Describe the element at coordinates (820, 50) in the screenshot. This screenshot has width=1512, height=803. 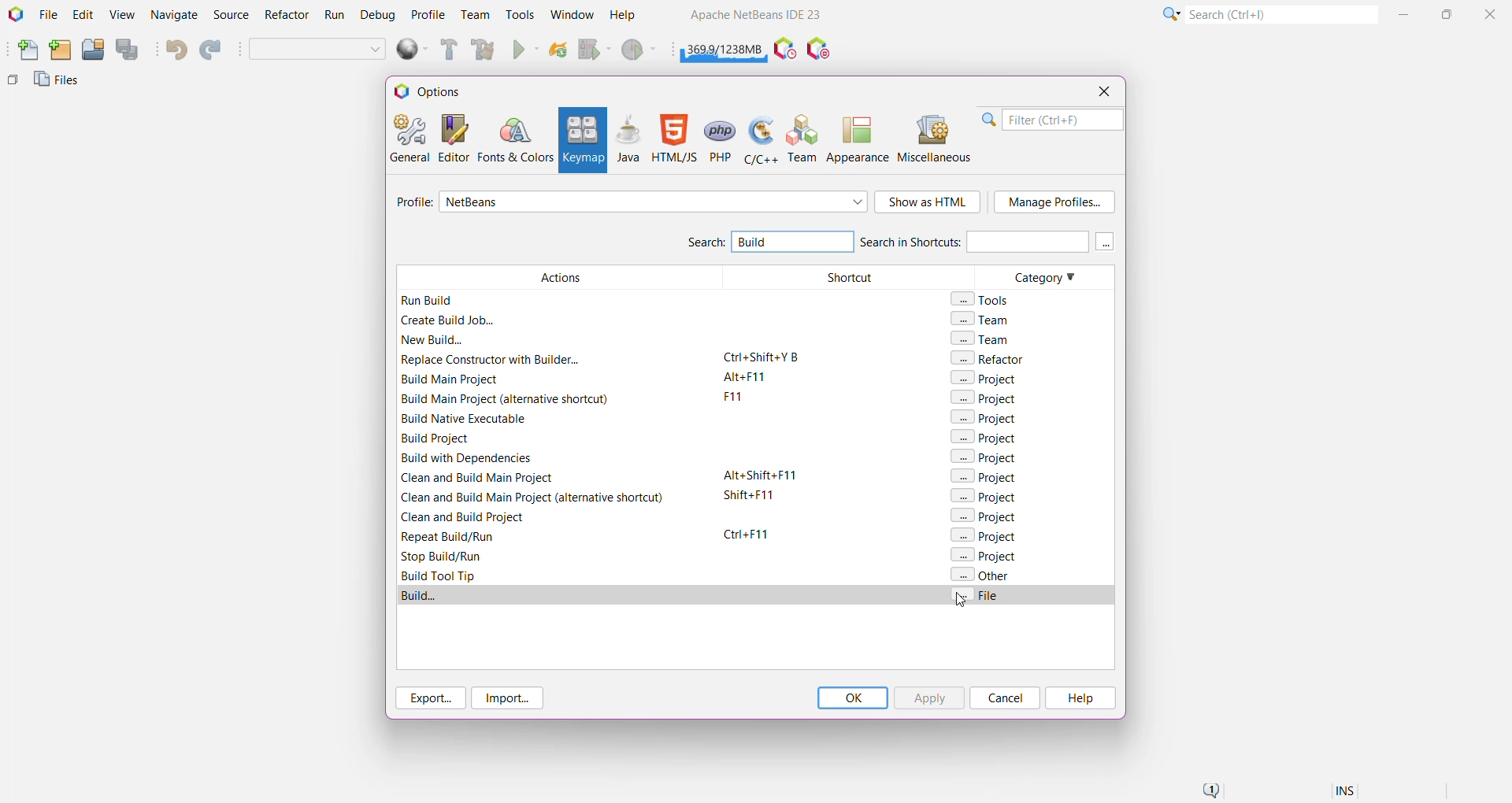
I see `Pause I/O Checks` at that location.